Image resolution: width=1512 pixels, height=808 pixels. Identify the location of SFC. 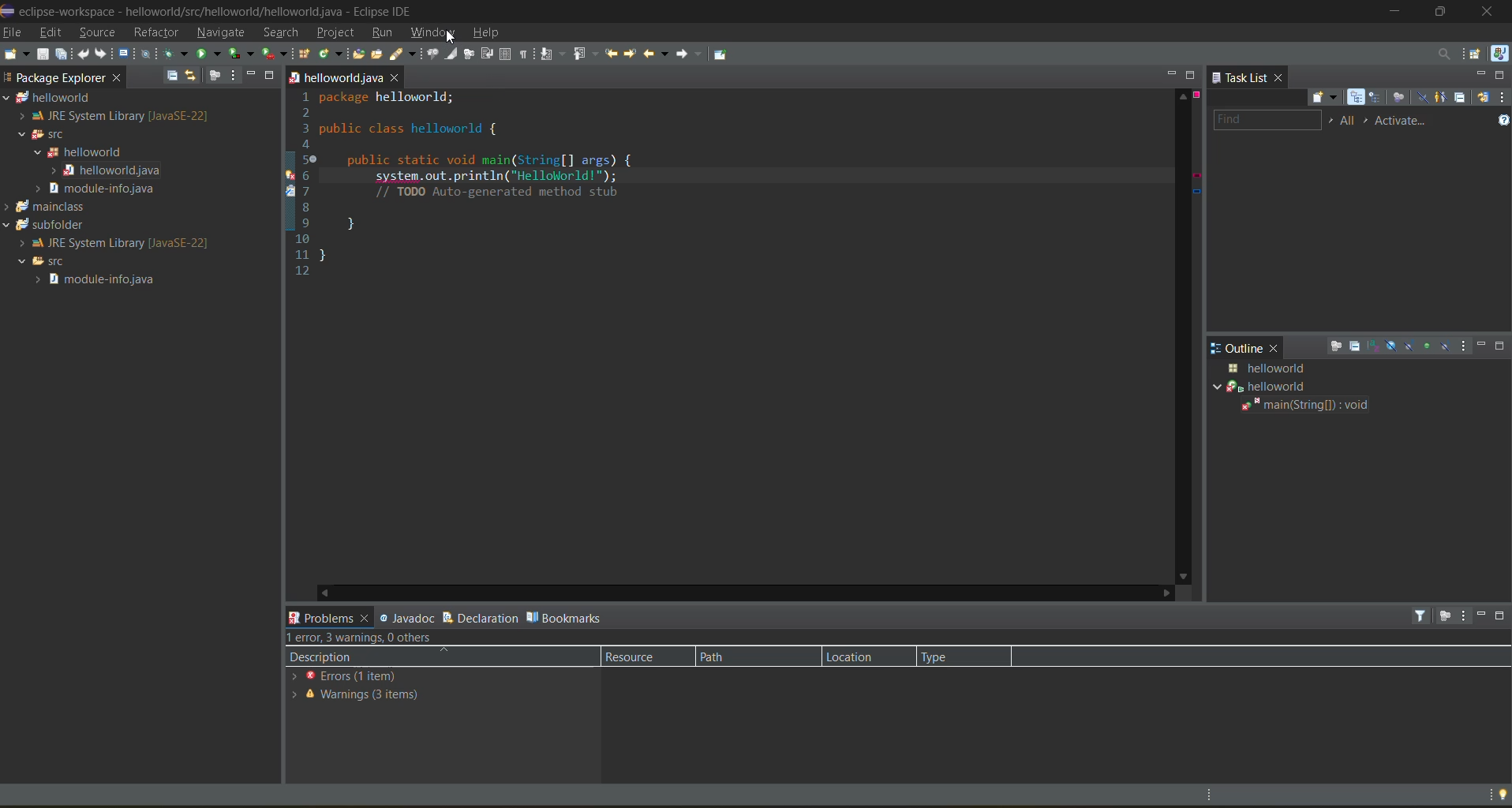
(45, 264).